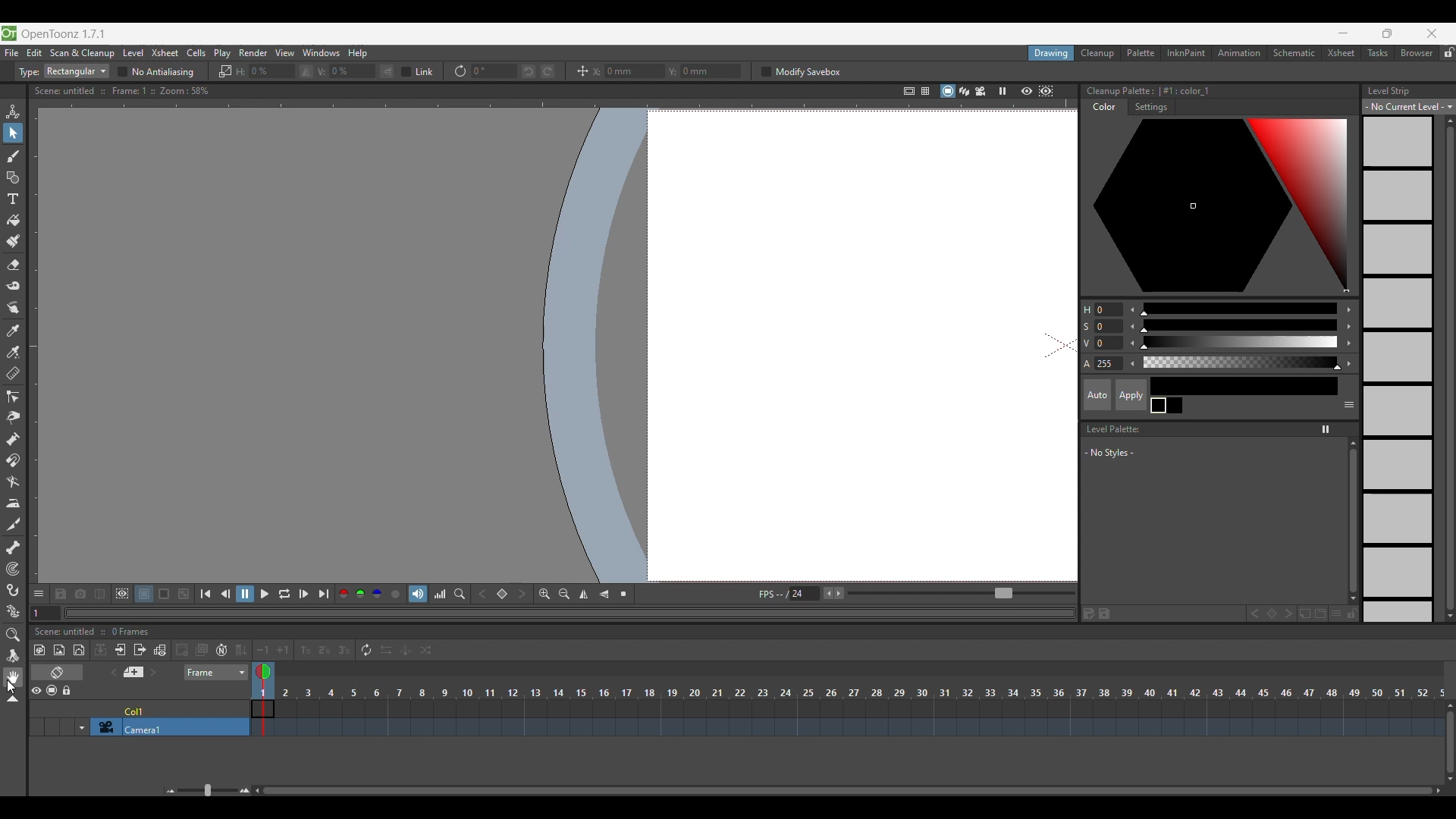 This screenshot has width=1456, height=819. What do you see at coordinates (58, 649) in the screenshot?
I see `New raster level` at bounding box center [58, 649].